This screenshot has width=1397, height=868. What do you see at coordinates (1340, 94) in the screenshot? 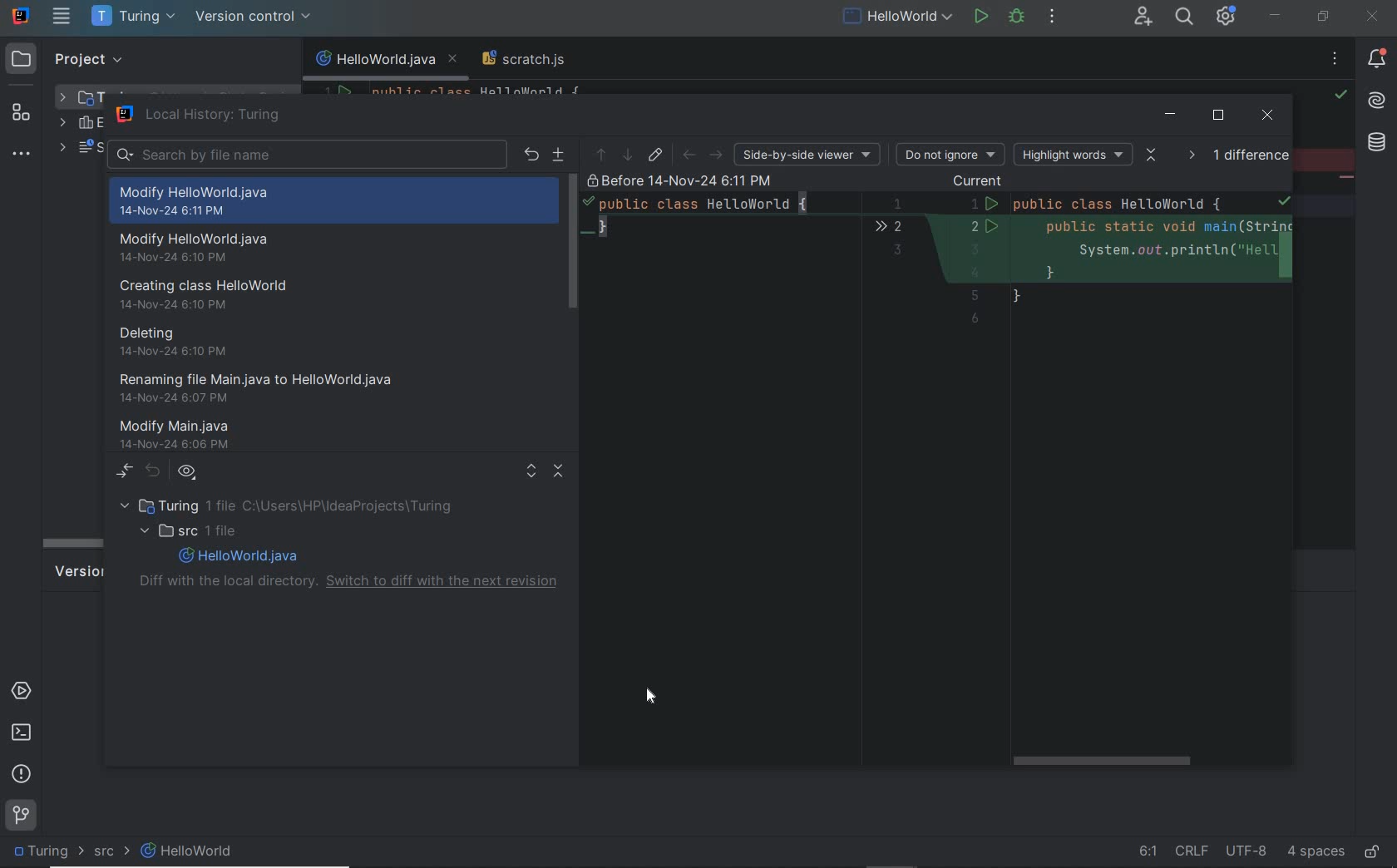
I see `highlight all problems` at bounding box center [1340, 94].